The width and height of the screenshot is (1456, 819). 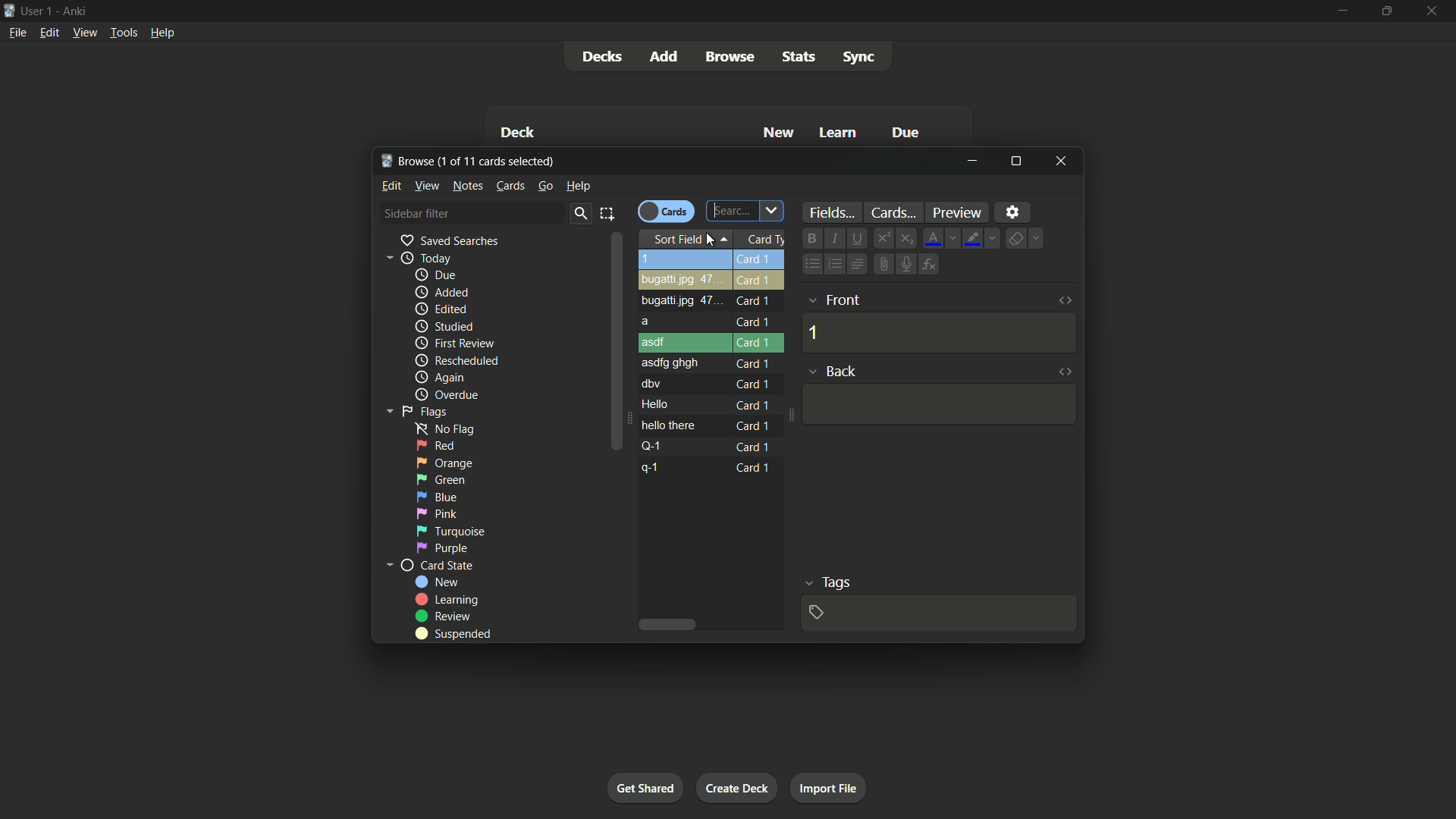 What do you see at coordinates (861, 57) in the screenshot?
I see `sync` at bounding box center [861, 57].